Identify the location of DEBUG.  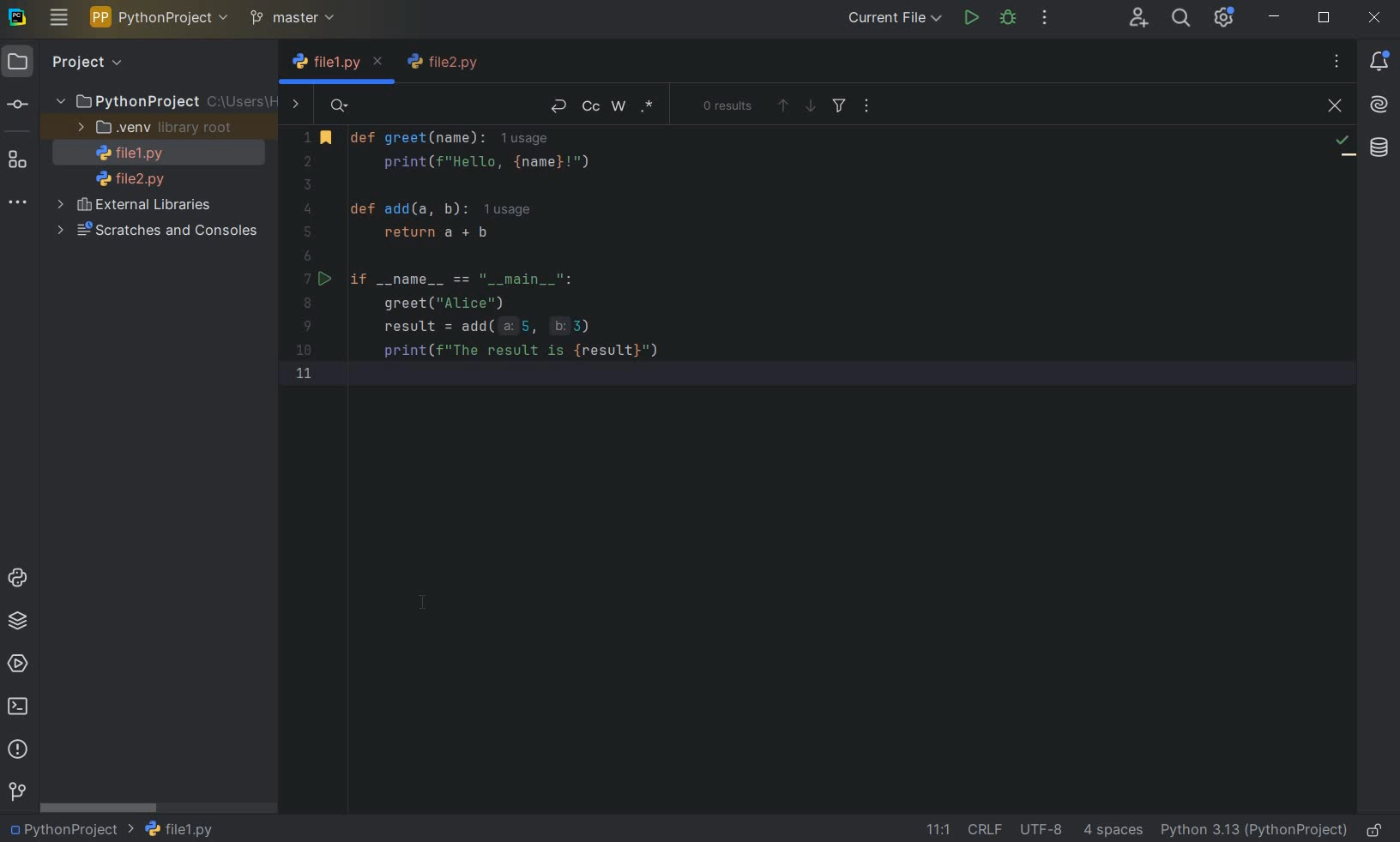
(1010, 19).